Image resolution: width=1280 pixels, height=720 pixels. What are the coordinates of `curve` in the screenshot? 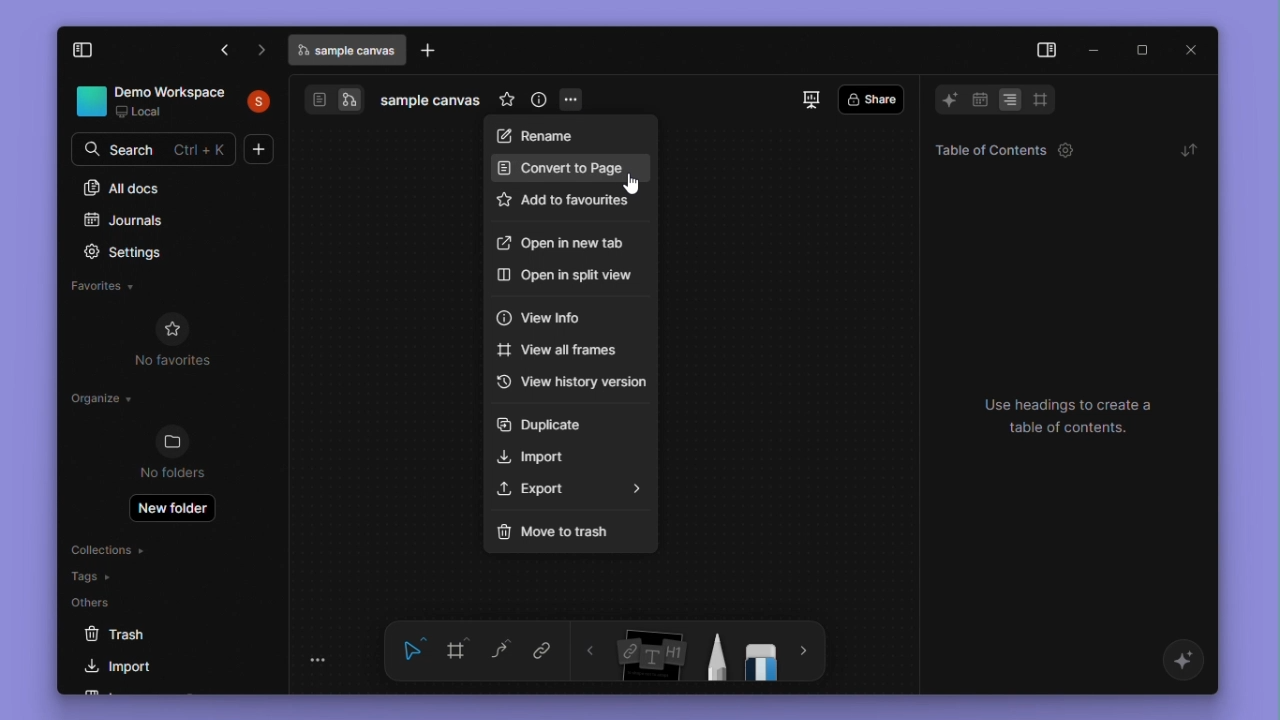 It's located at (501, 648).